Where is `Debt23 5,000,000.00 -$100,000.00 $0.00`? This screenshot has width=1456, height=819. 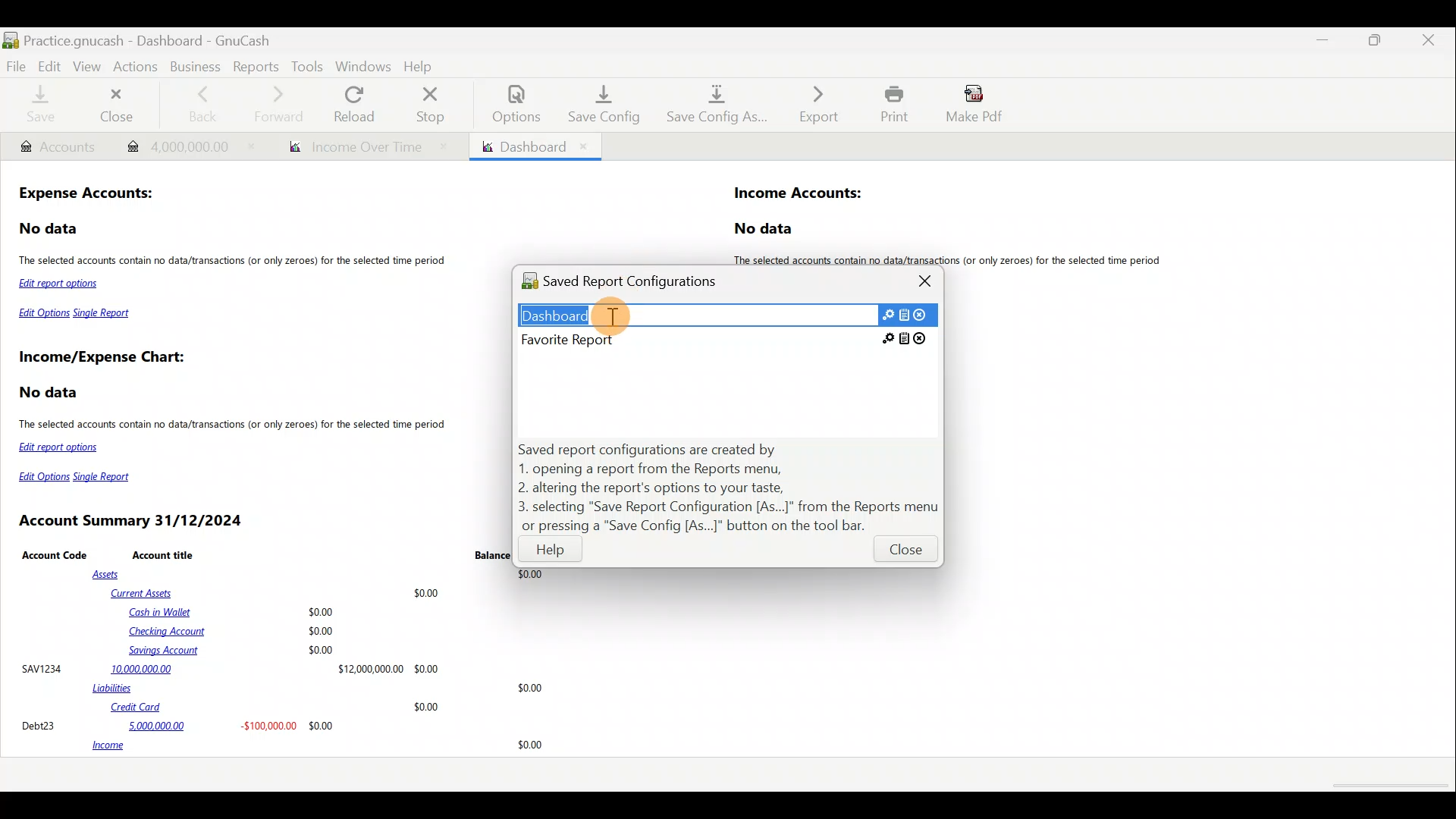
Debt23 5,000,000.00 -$100,000.00 $0.00 is located at coordinates (179, 725).